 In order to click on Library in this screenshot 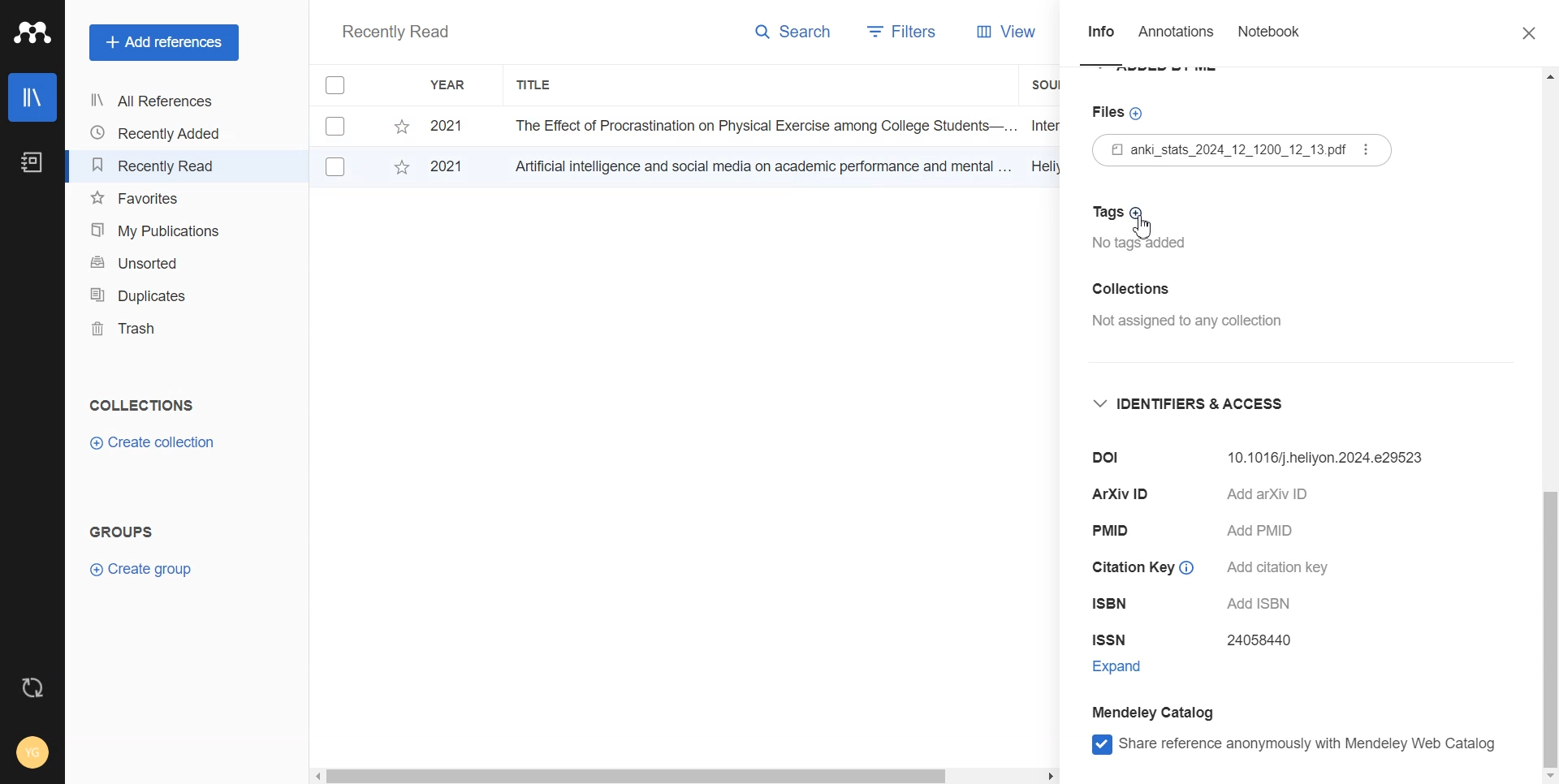, I will do `click(33, 97)`.